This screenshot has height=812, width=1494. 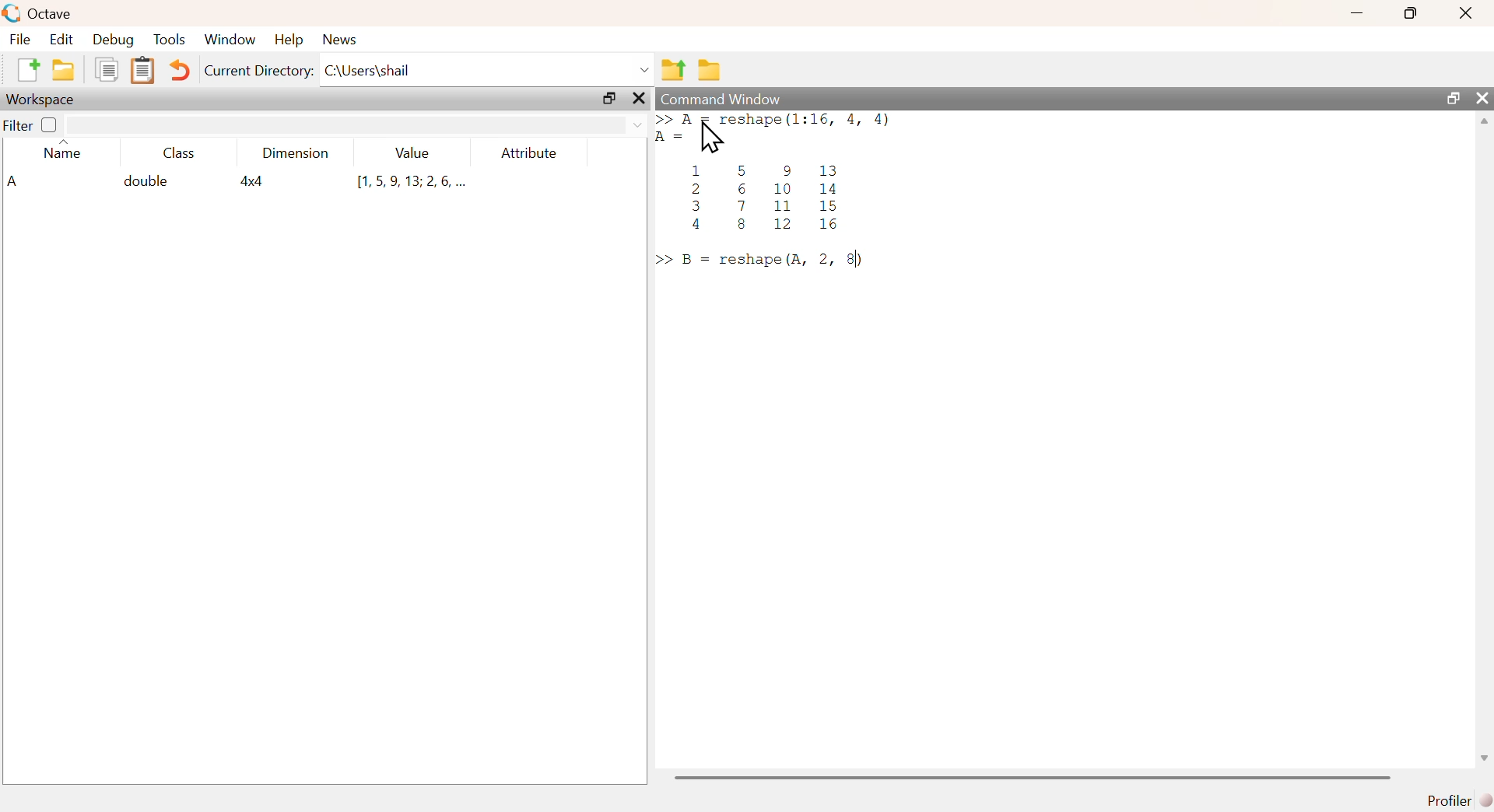 I want to click on text cursor, so click(x=854, y=261).